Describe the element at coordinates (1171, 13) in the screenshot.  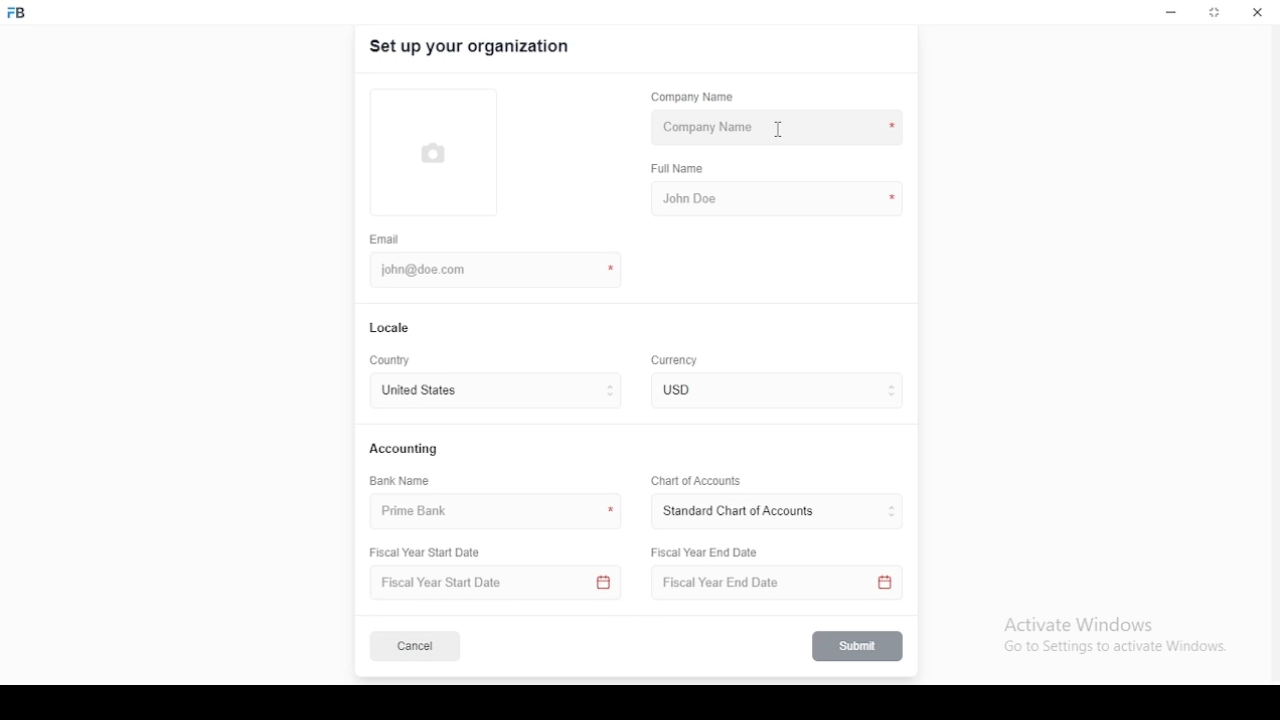
I see `minimize` at that location.